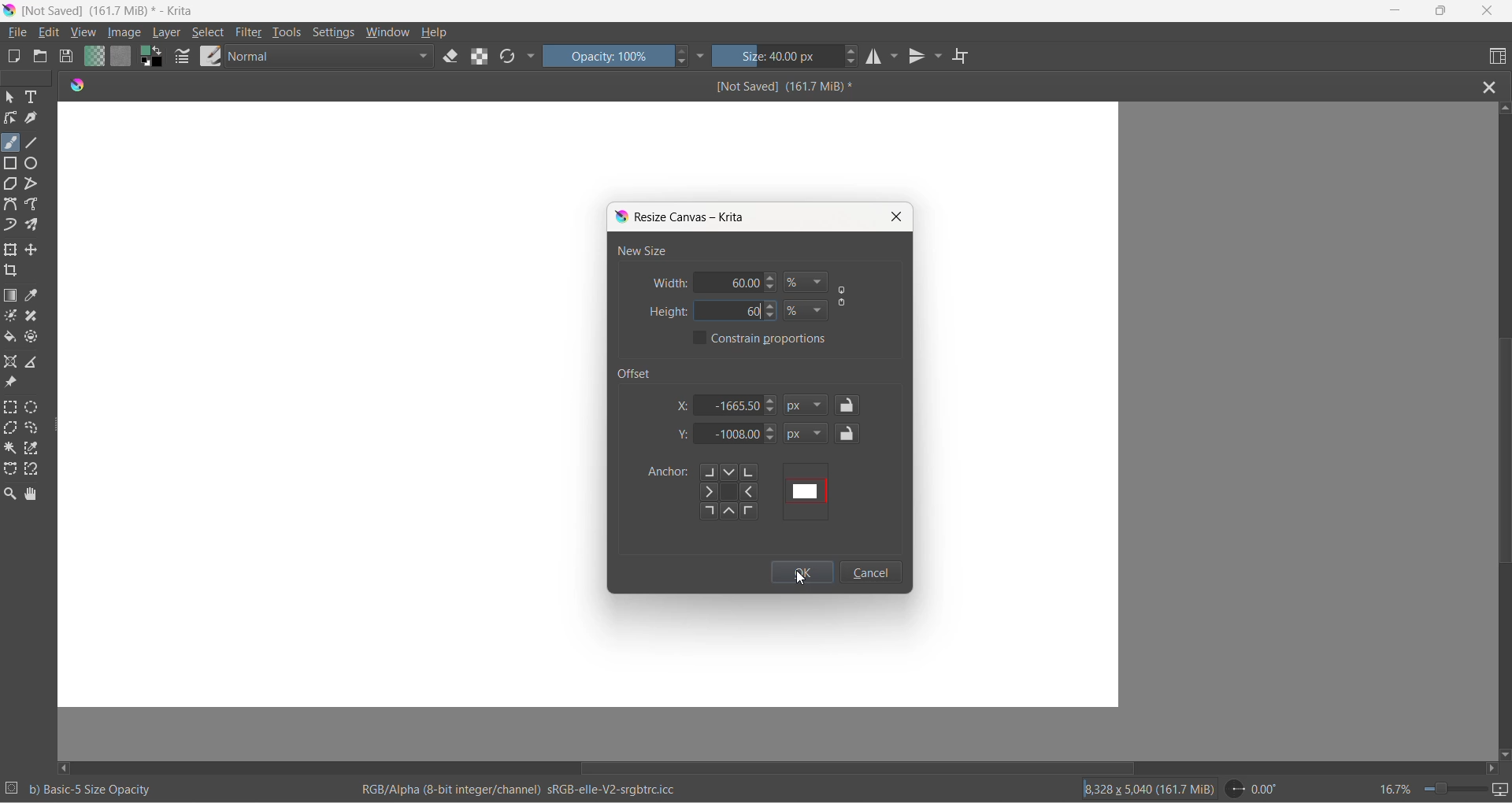 The height and width of the screenshot is (803, 1512). Describe the element at coordinates (809, 406) in the screenshot. I see `x-axis value type` at that location.